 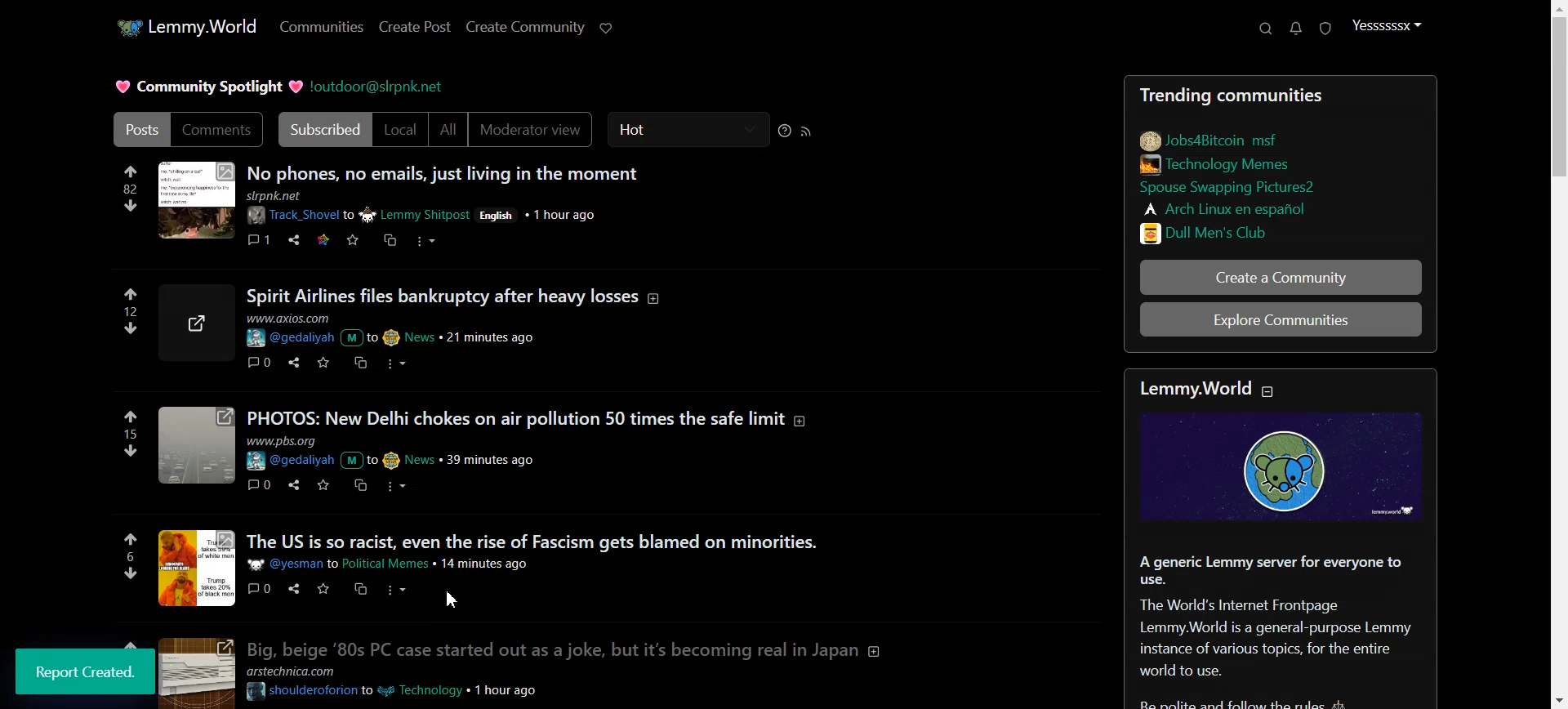 I want to click on share, so click(x=291, y=589).